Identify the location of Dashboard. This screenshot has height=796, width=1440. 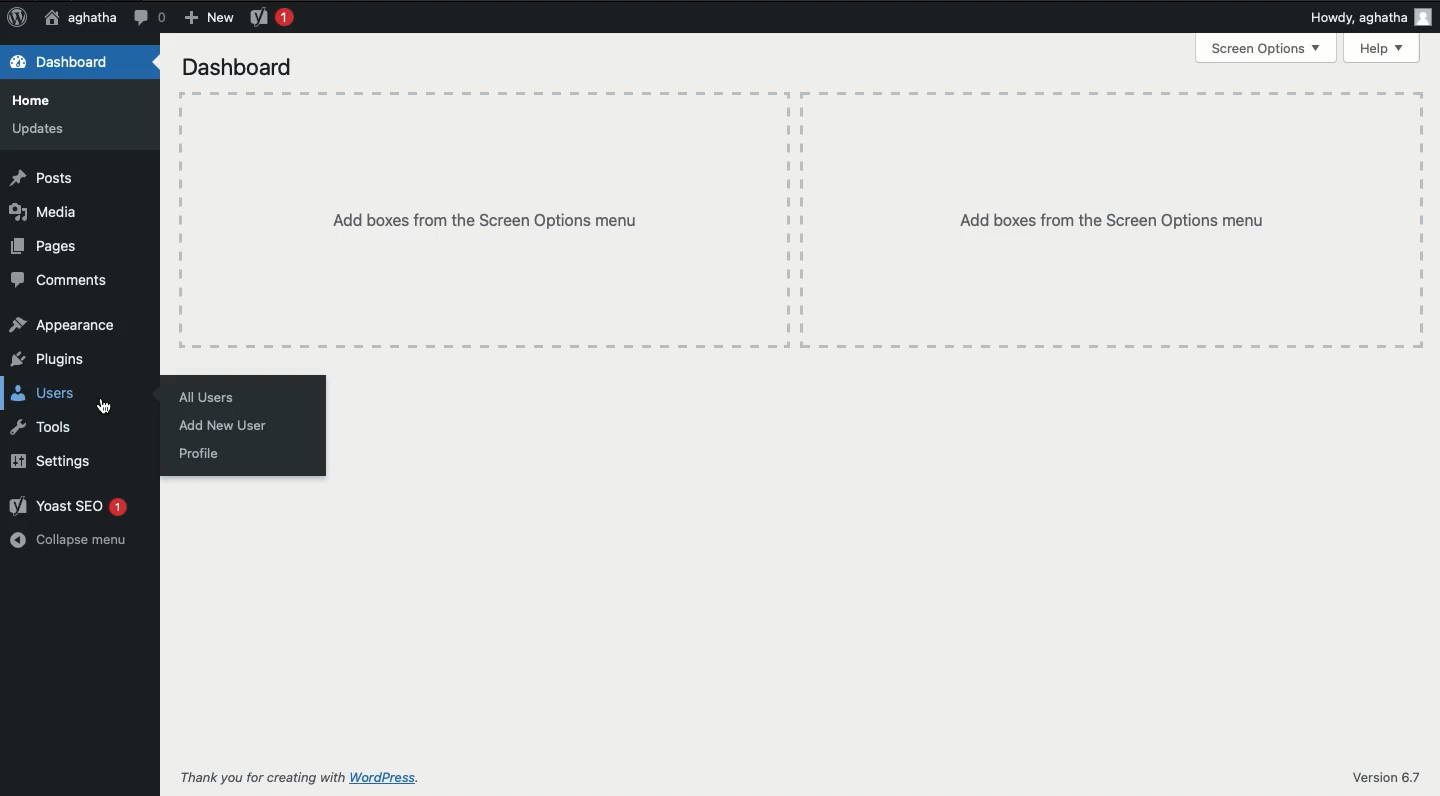
(238, 65).